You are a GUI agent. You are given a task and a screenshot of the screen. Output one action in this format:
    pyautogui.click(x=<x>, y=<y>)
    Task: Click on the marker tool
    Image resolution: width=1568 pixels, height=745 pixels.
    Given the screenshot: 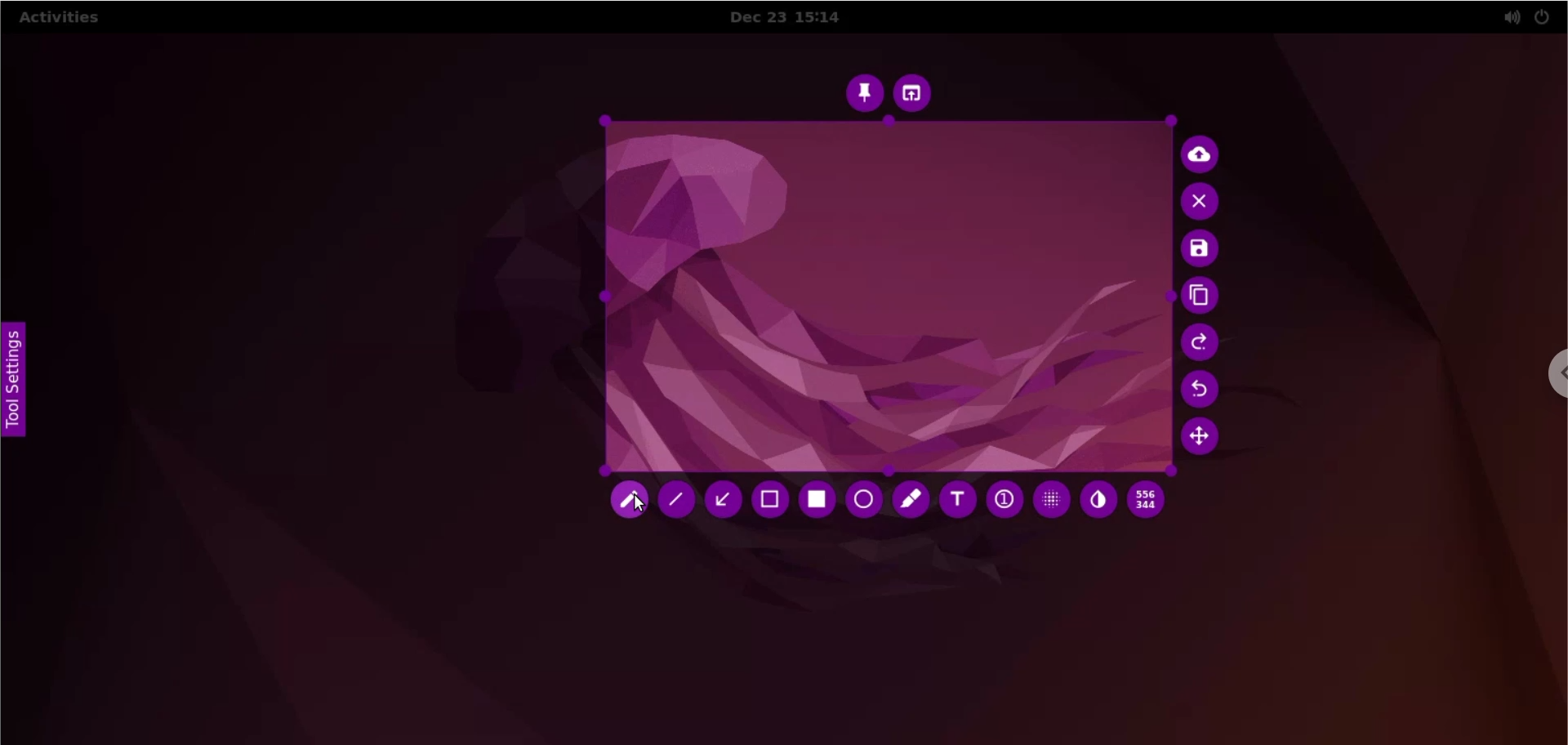 What is the action you would take?
    pyautogui.click(x=911, y=500)
    